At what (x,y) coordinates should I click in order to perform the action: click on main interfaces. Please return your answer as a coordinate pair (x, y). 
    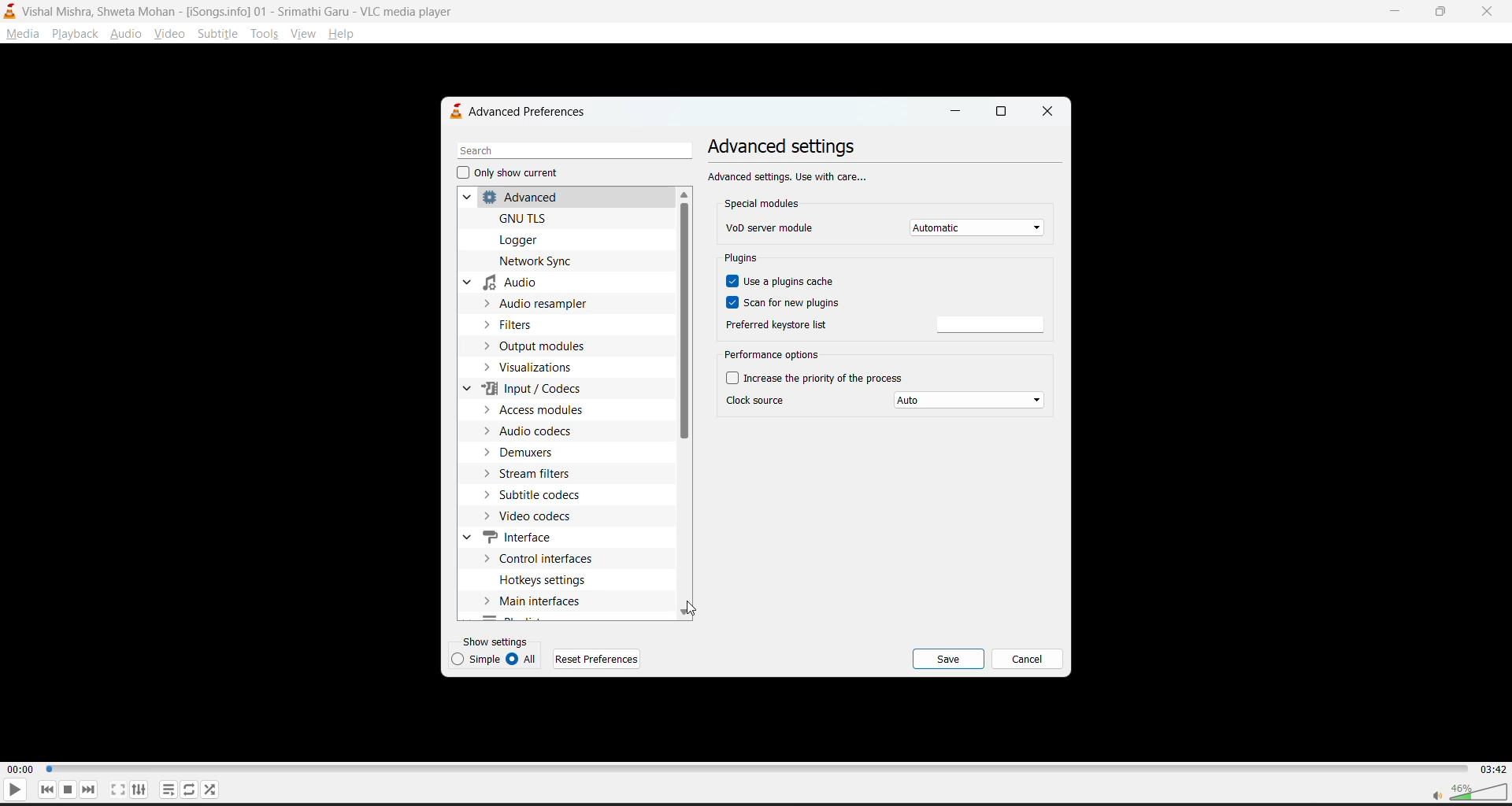
    Looking at the image, I should click on (539, 600).